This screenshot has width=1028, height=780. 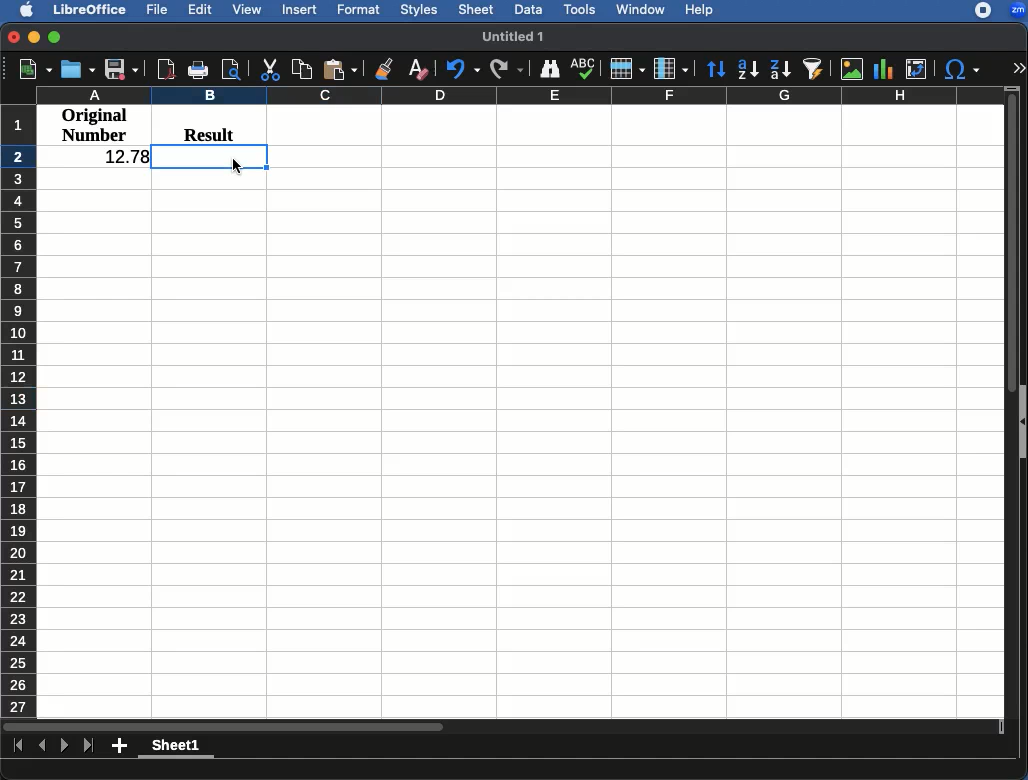 I want to click on Finder, so click(x=551, y=70).